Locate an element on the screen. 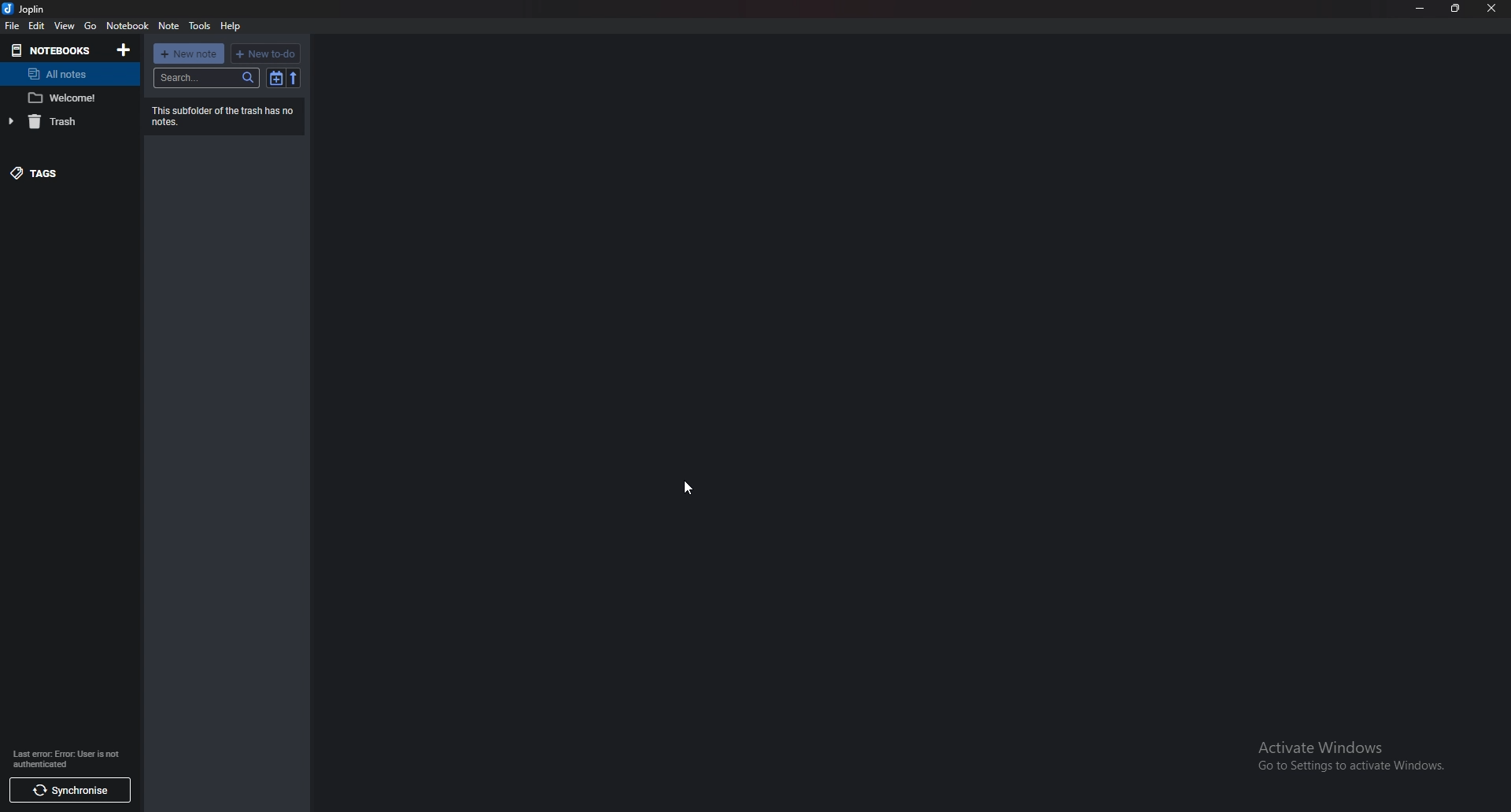  note is located at coordinates (68, 97).